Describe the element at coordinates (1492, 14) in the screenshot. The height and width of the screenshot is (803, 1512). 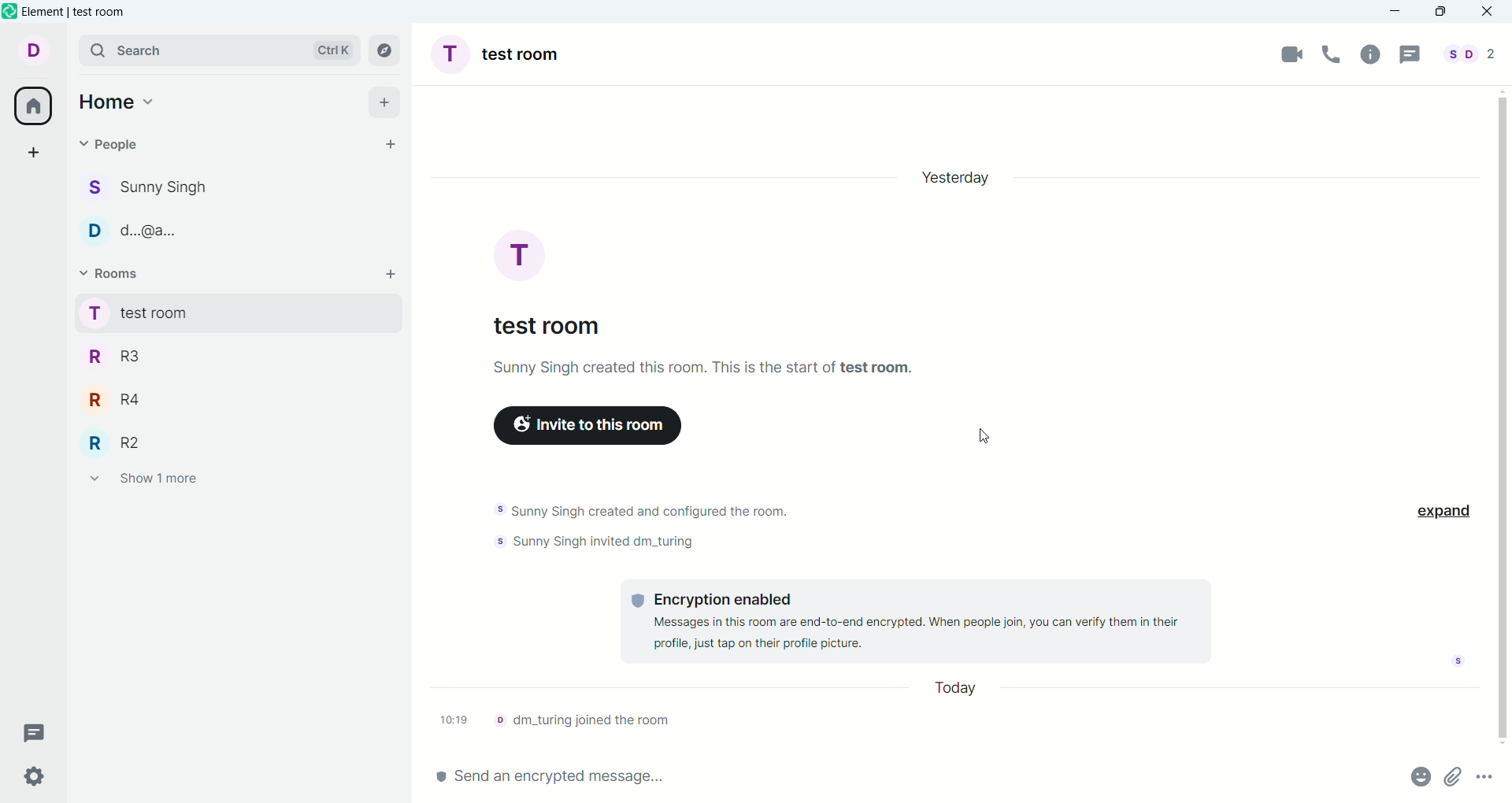
I see `close` at that location.